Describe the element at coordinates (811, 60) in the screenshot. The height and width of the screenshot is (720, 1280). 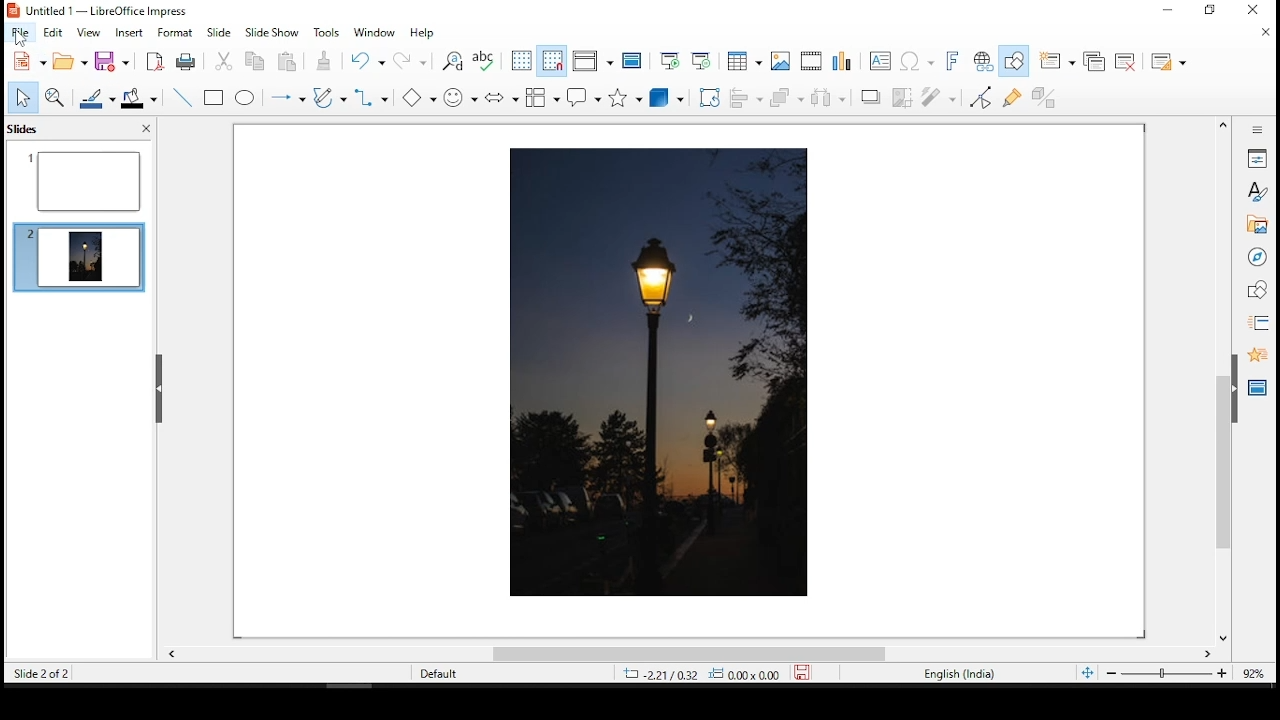
I see `insert audio and video` at that location.